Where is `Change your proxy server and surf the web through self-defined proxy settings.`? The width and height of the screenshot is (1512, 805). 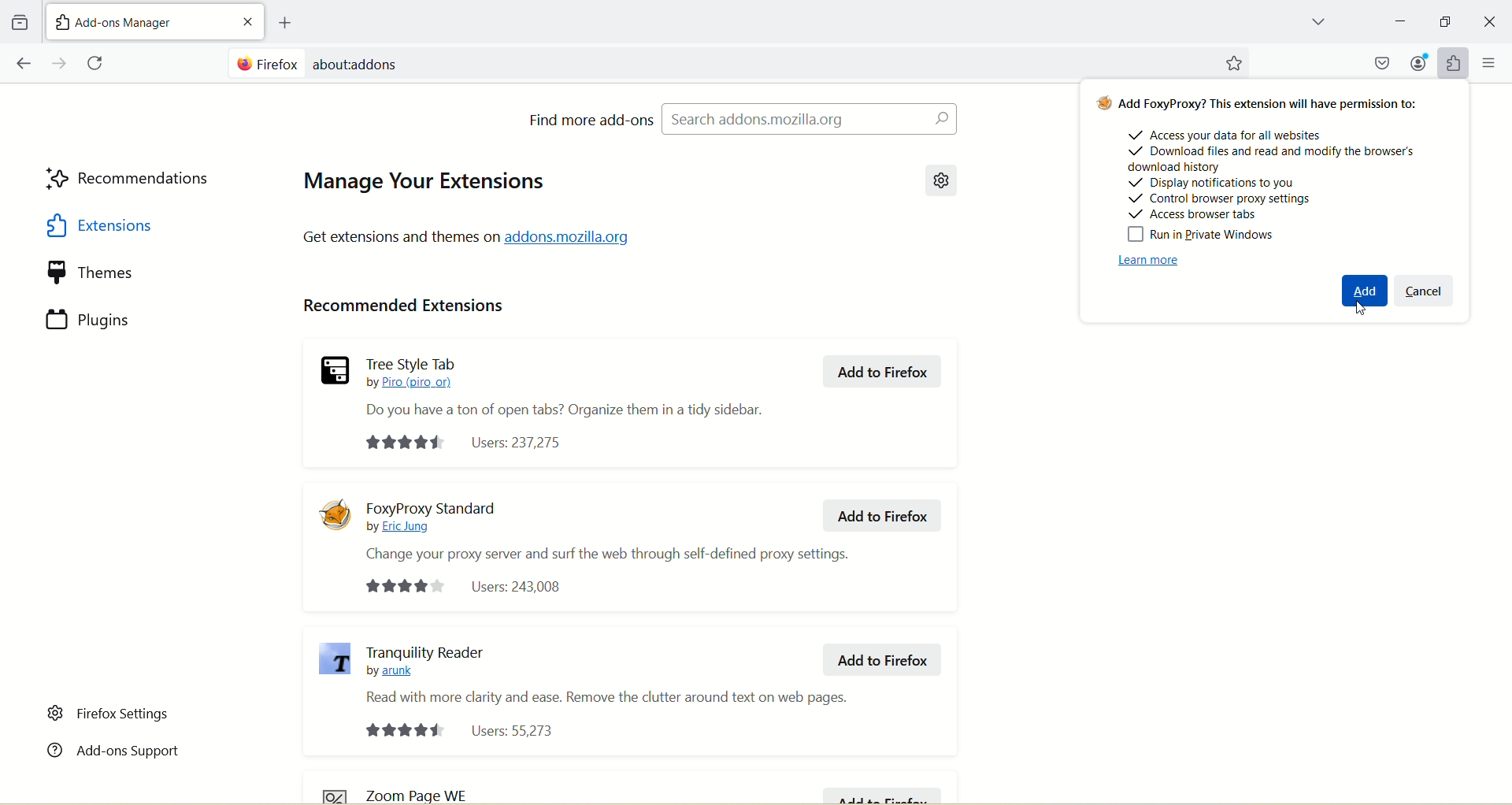
Change your proxy server and surf the web through self-defined proxy settings. is located at coordinates (610, 555).